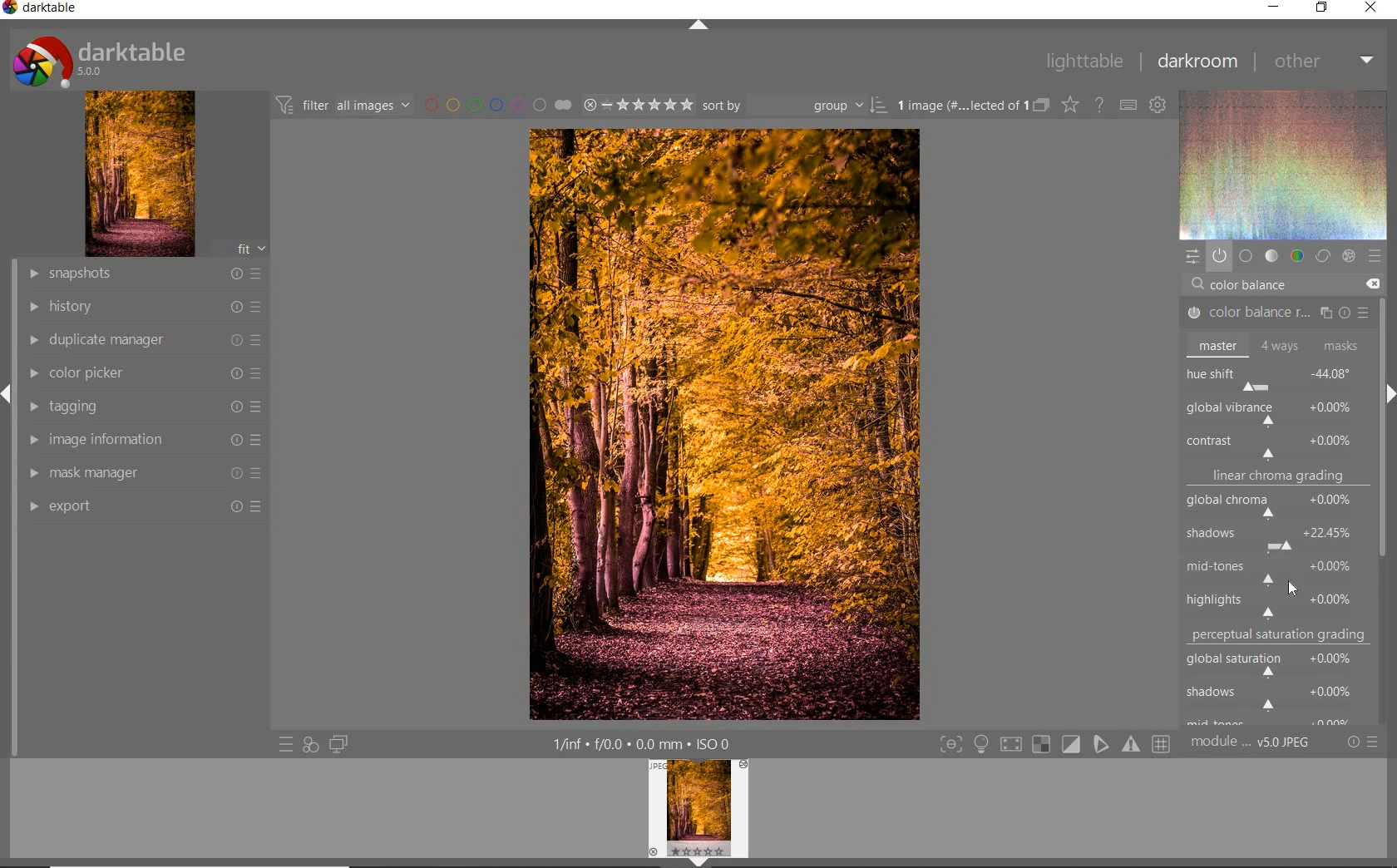 This screenshot has height=868, width=1397. Describe the element at coordinates (1277, 479) in the screenshot. I see `linear chroma grading` at that location.